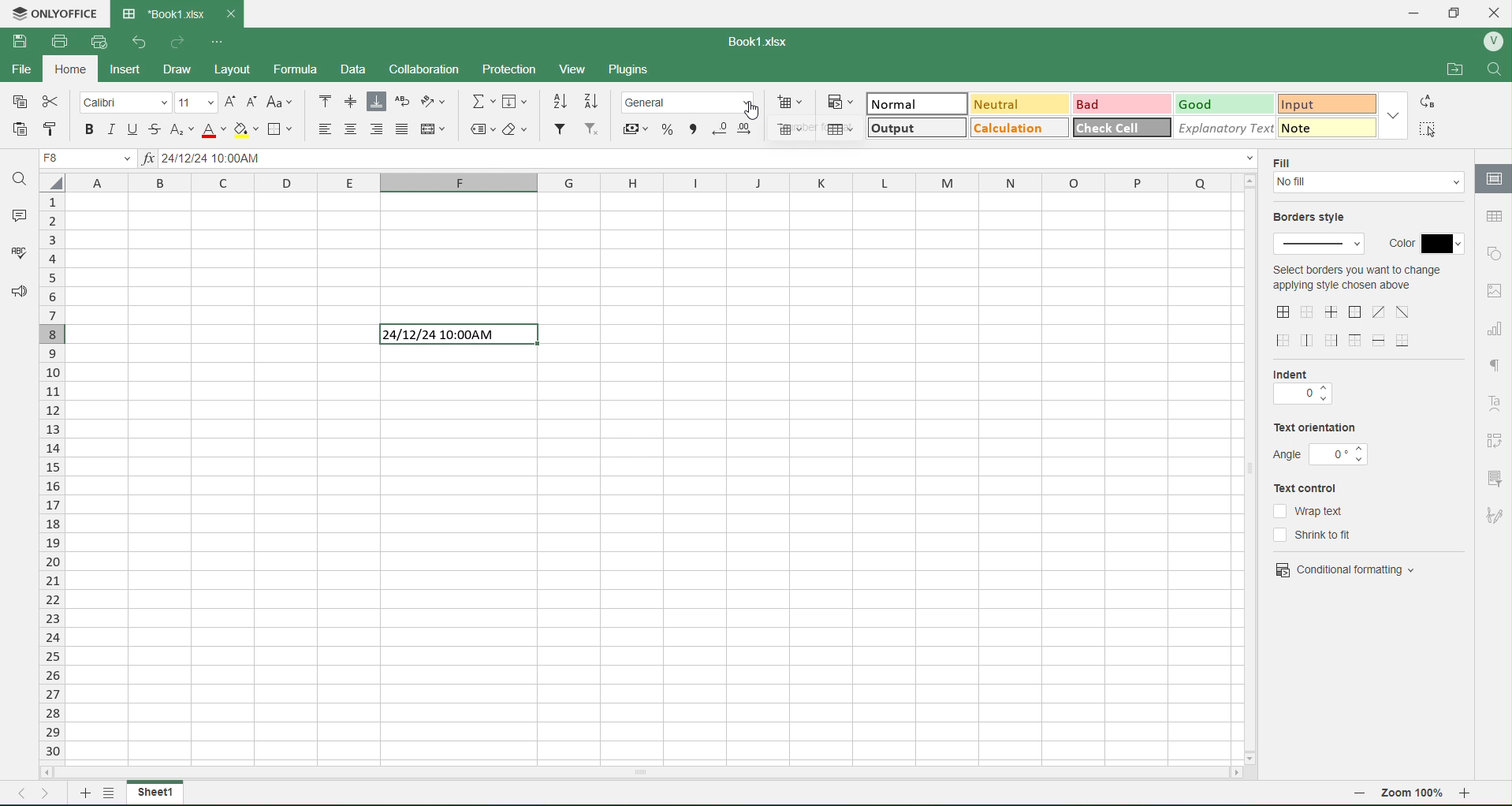 The image size is (1512, 806). Describe the element at coordinates (1495, 330) in the screenshot. I see `charts` at that location.